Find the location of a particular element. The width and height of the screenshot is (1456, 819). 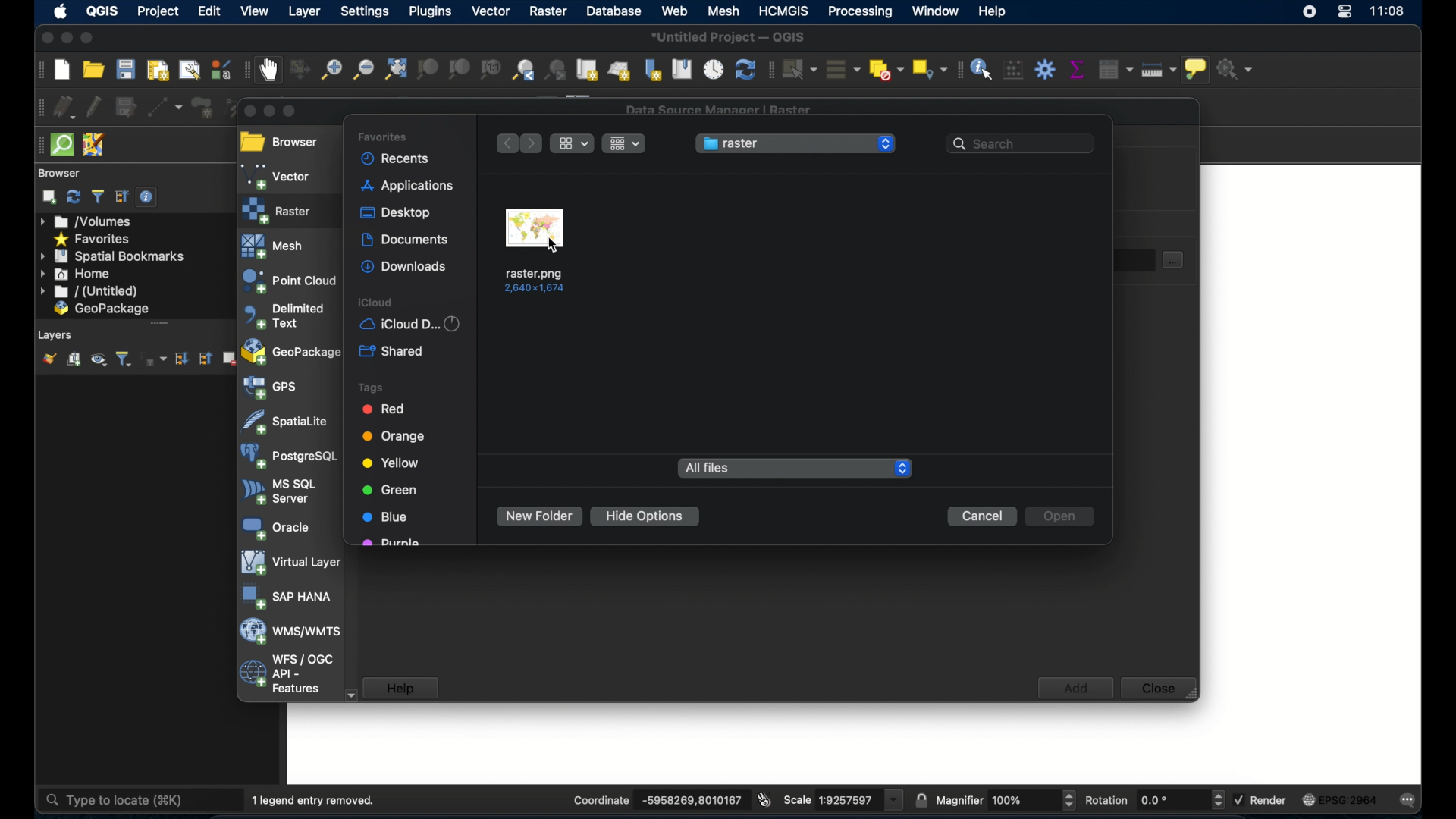

cancel is located at coordinates (981, 516).